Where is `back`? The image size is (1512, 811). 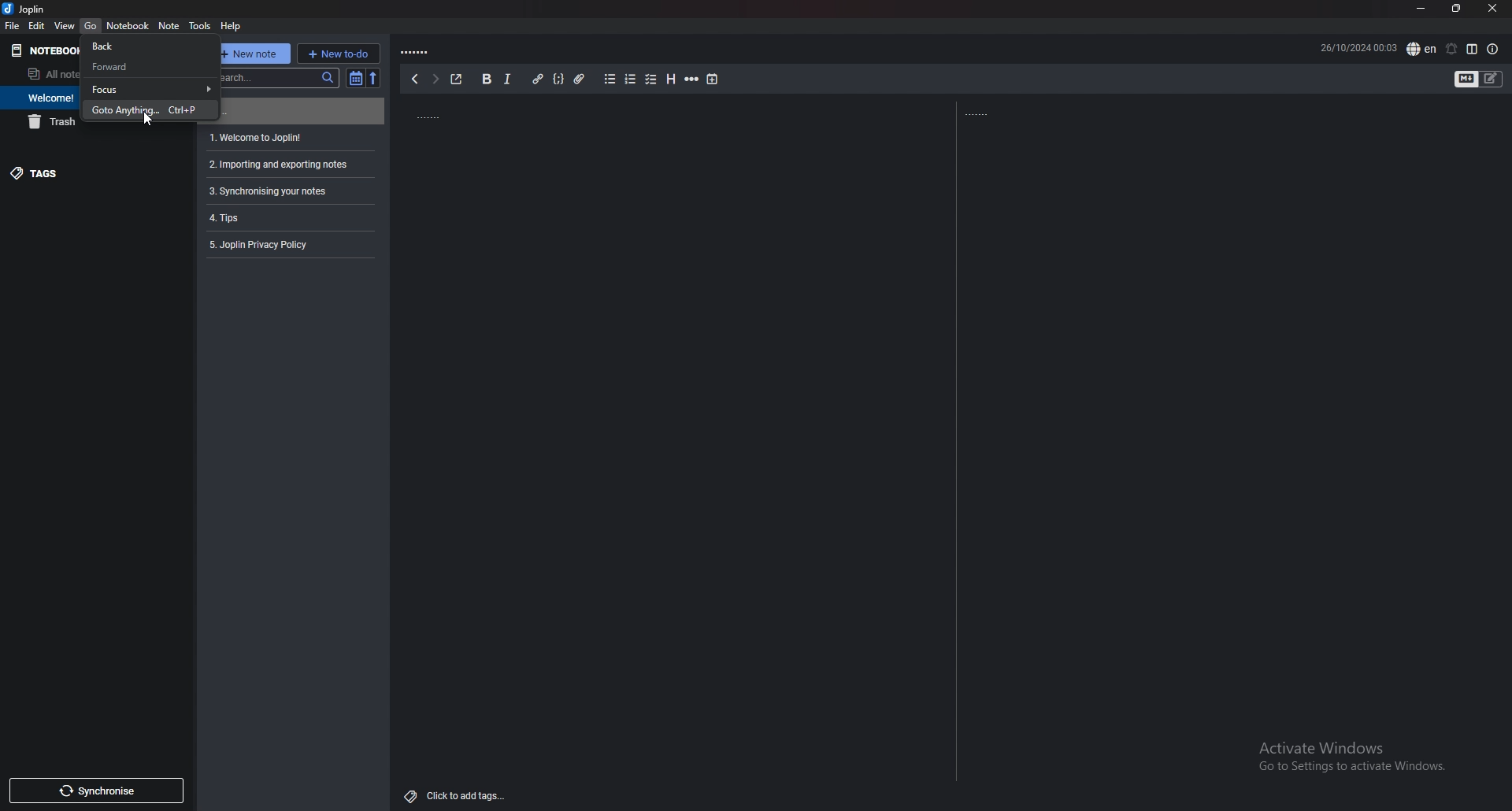
back is located at coordinates (413, 80).